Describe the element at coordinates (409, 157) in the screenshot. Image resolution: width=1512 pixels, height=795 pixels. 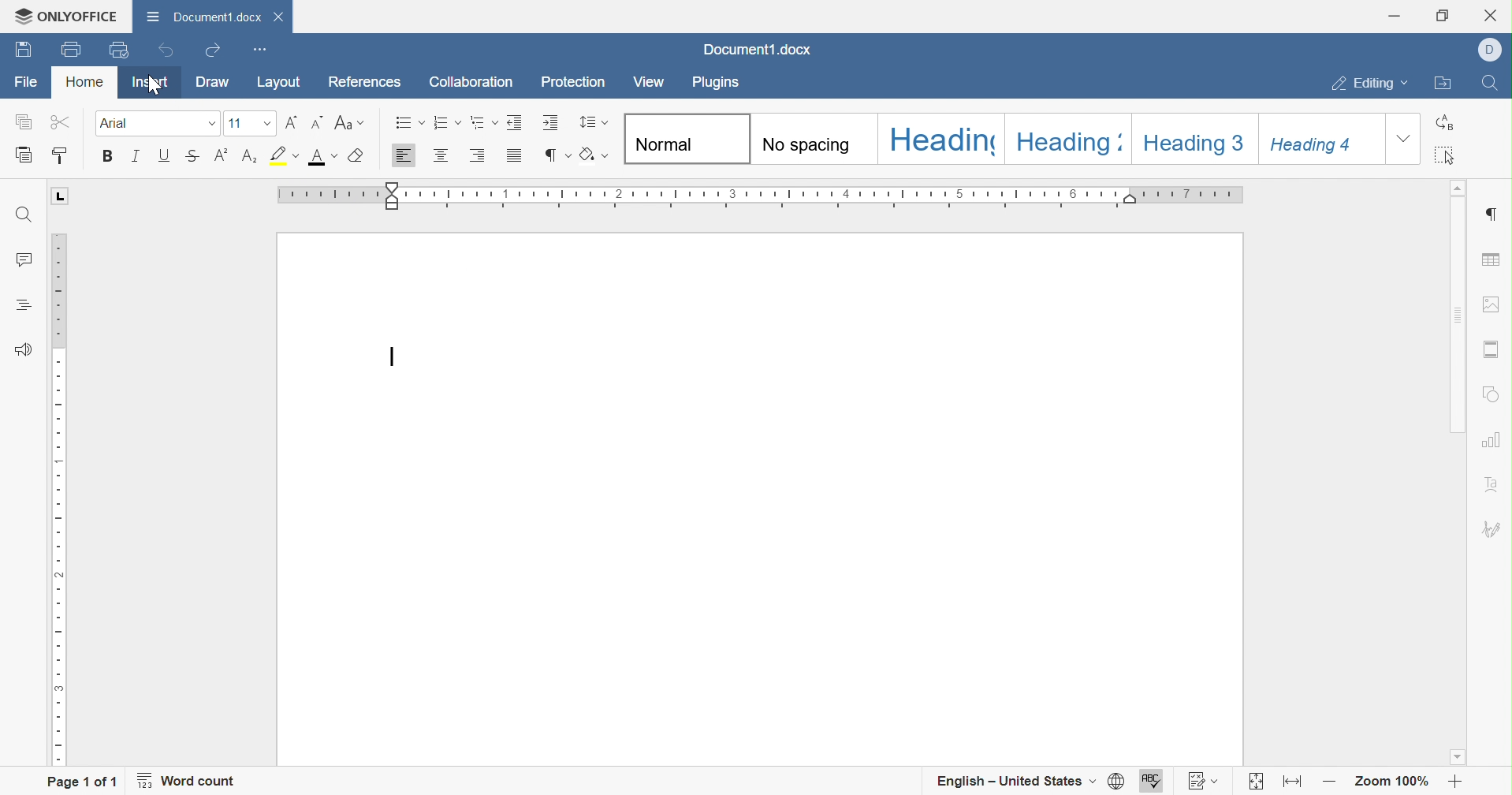
I see `Align left` at that location.